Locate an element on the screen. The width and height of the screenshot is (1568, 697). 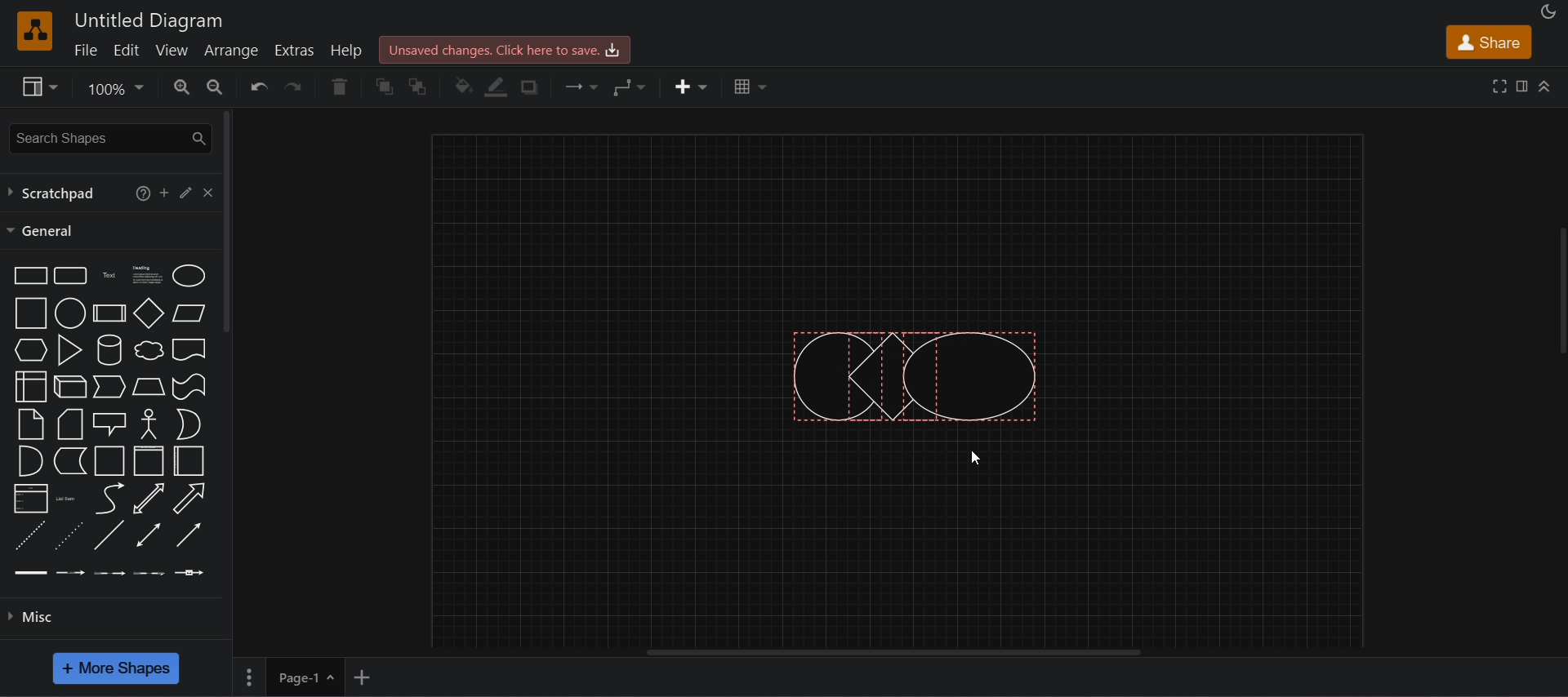
Container is located at coordinates (110, 460).